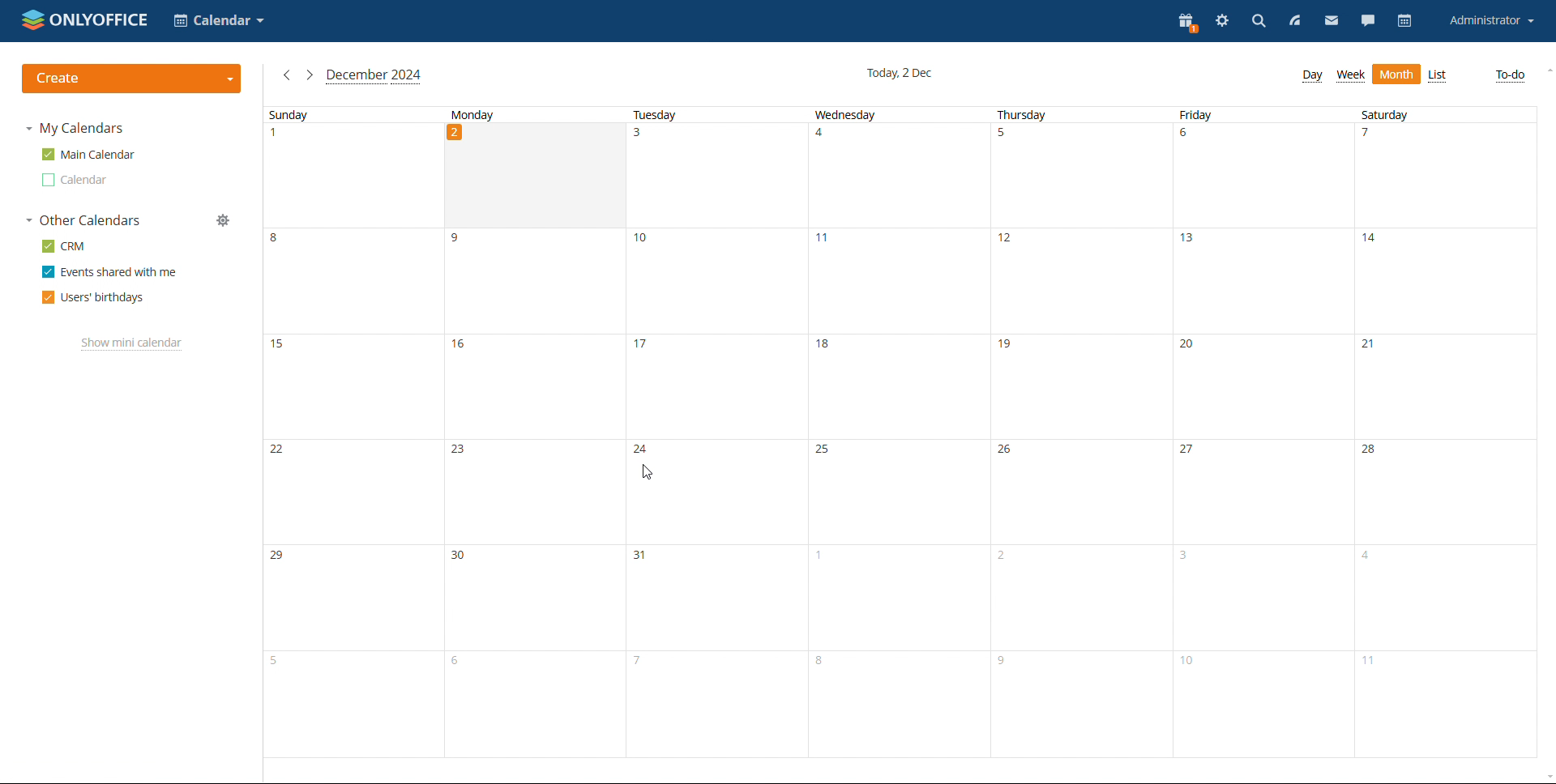 The height and width of the screenshot is (784, 1556). Describe the element at coordinates (1368, 21) in the screenshot. I see `chat` at that location.